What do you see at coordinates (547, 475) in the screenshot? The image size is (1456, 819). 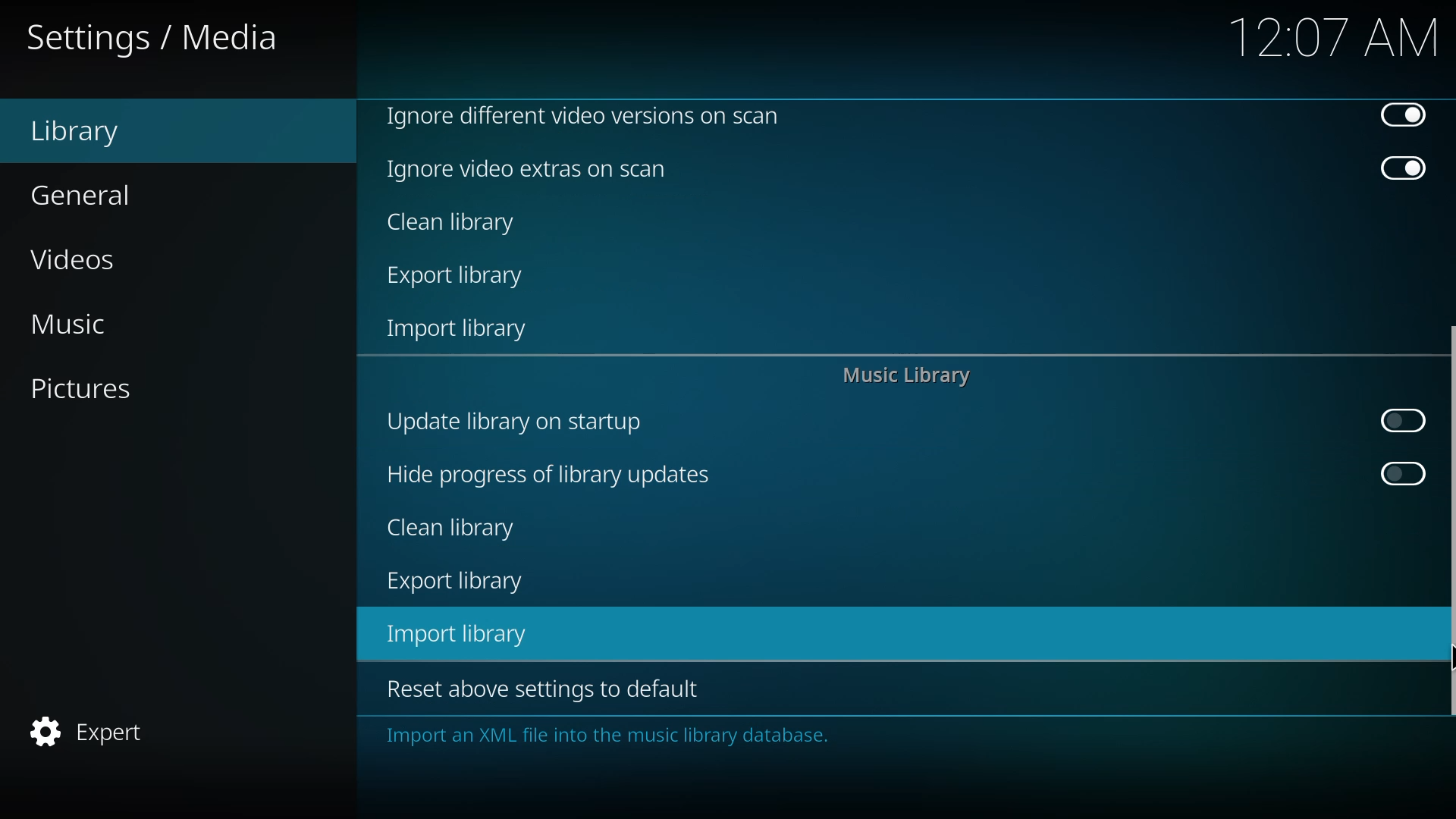 I see `hide progress` at bounding box center [547, 475].